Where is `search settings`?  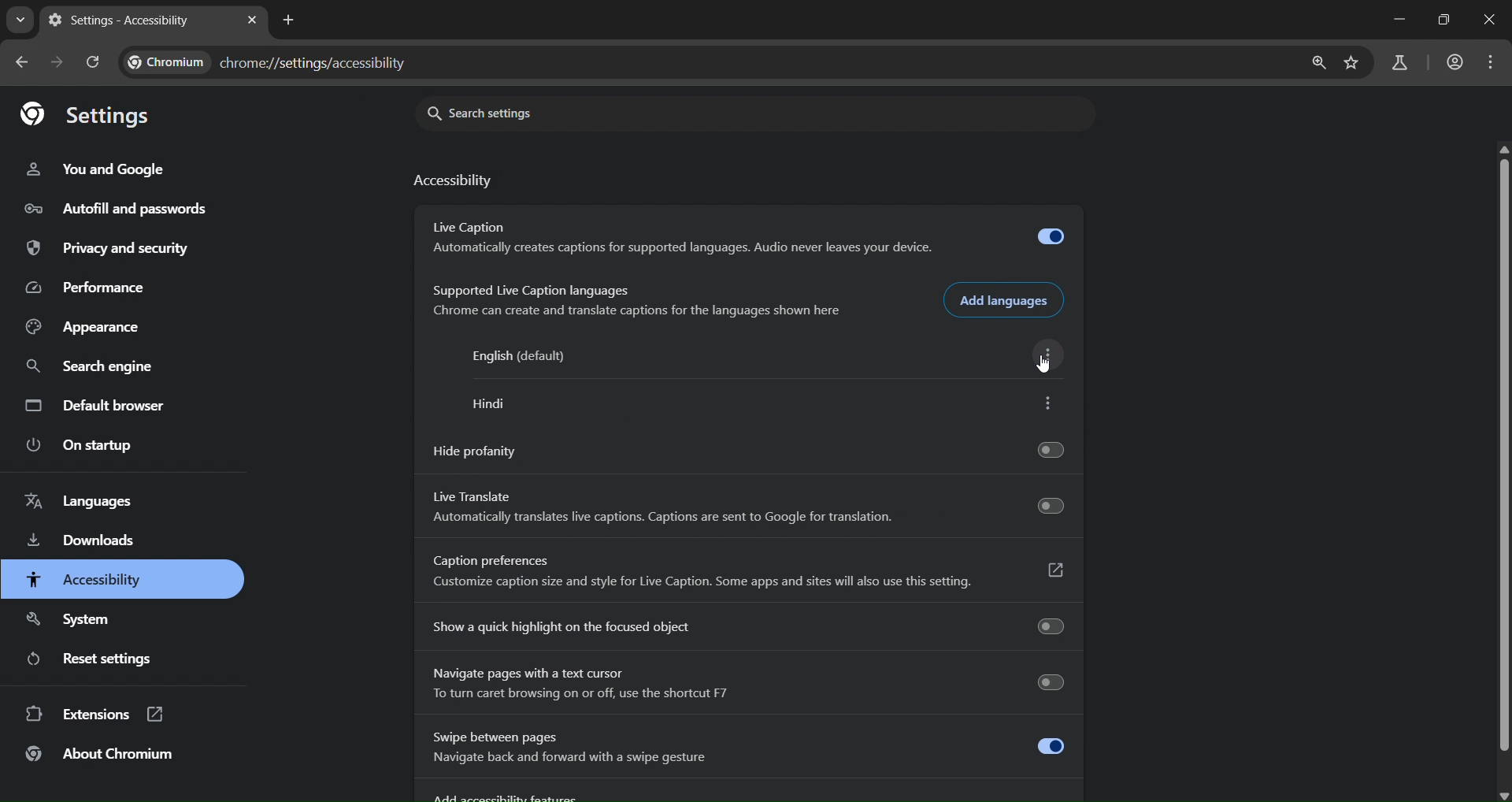 search settings is located at coordinates (556, 115).